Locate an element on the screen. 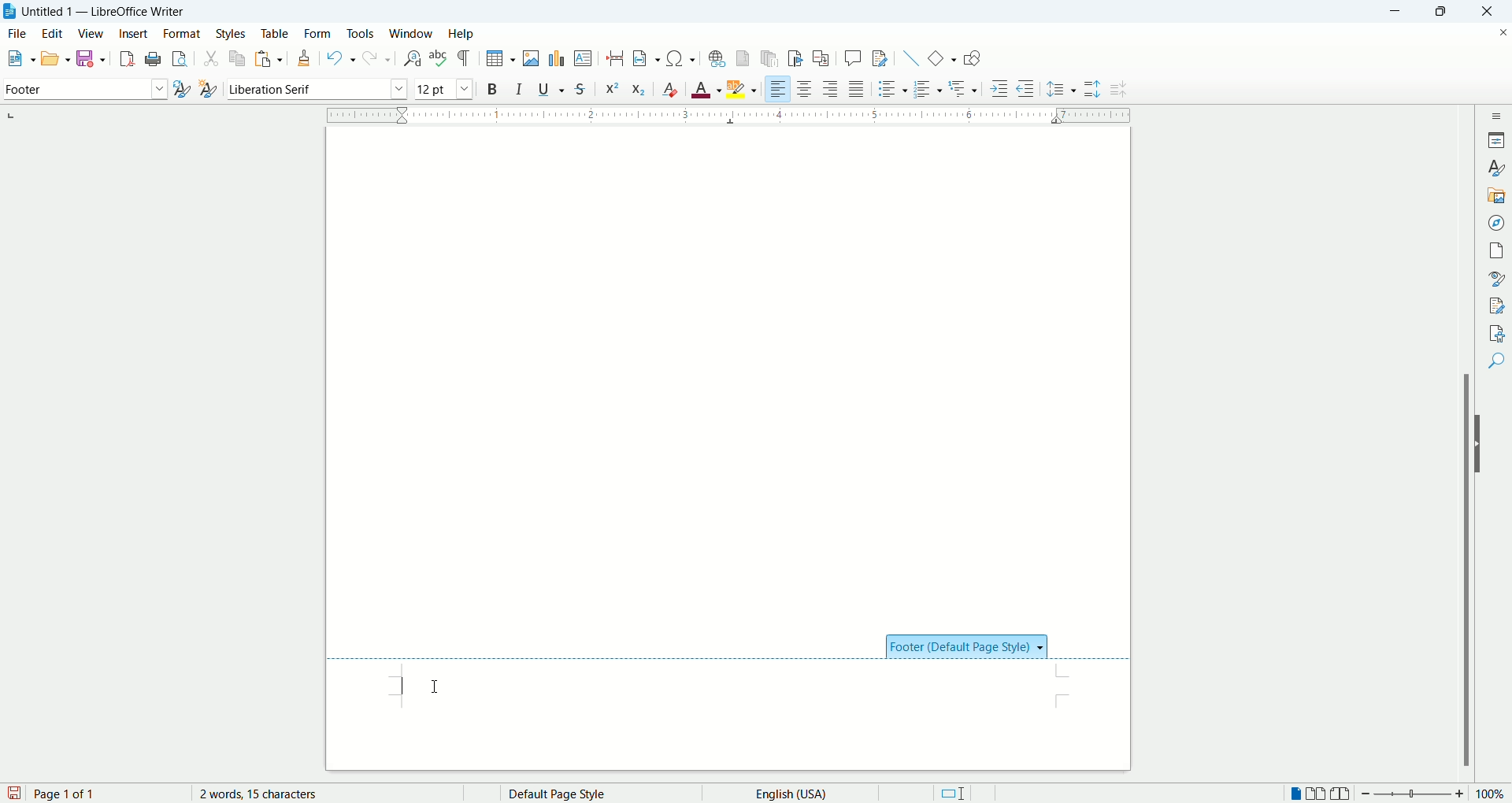 This screenshot has width=1512, height=803. text color is located at coordinates (708, 89).